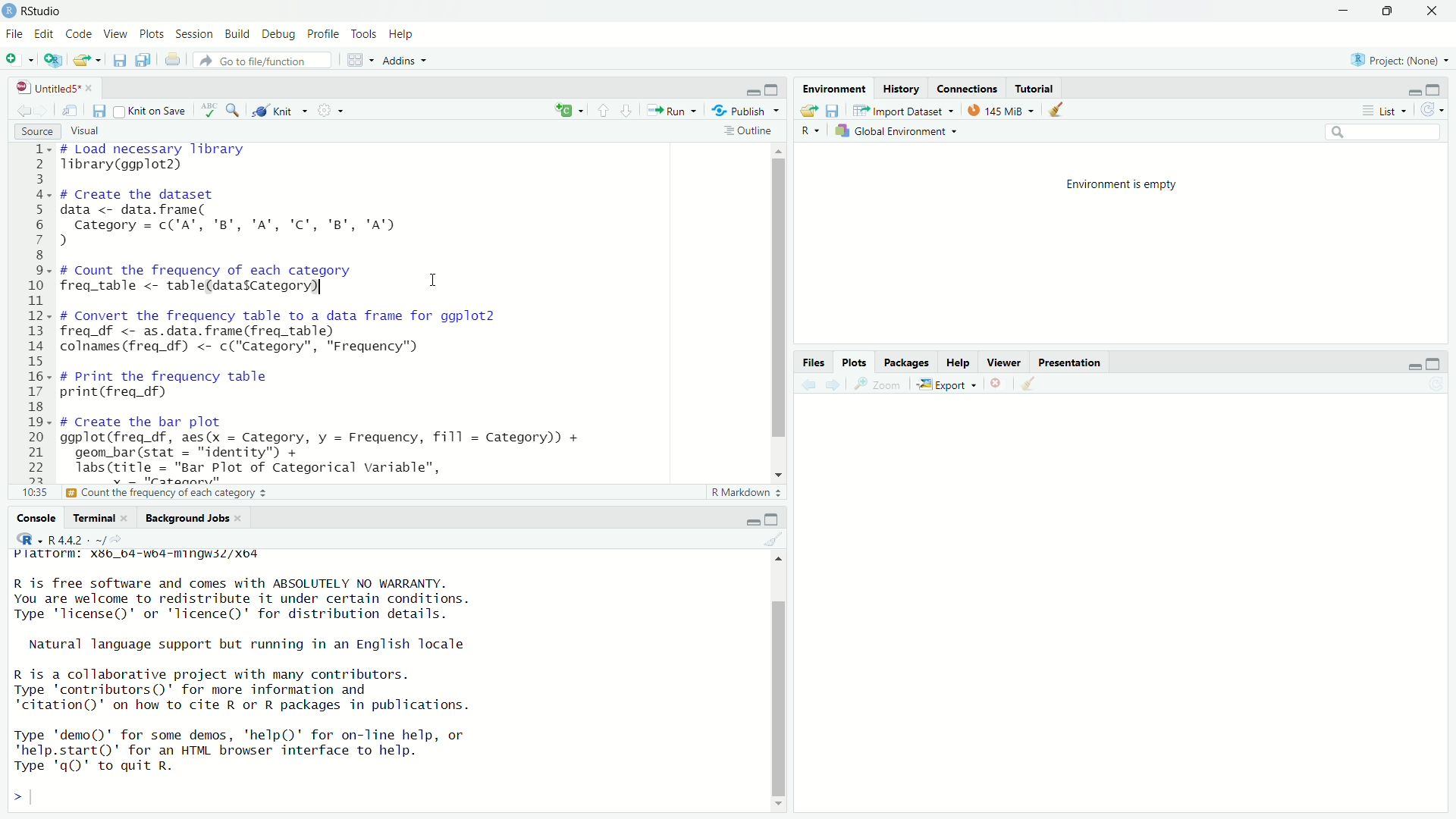  What do you see at coordinates (152, 35) in the screenshot?
I see `plots` at bounding box center [152, 35].